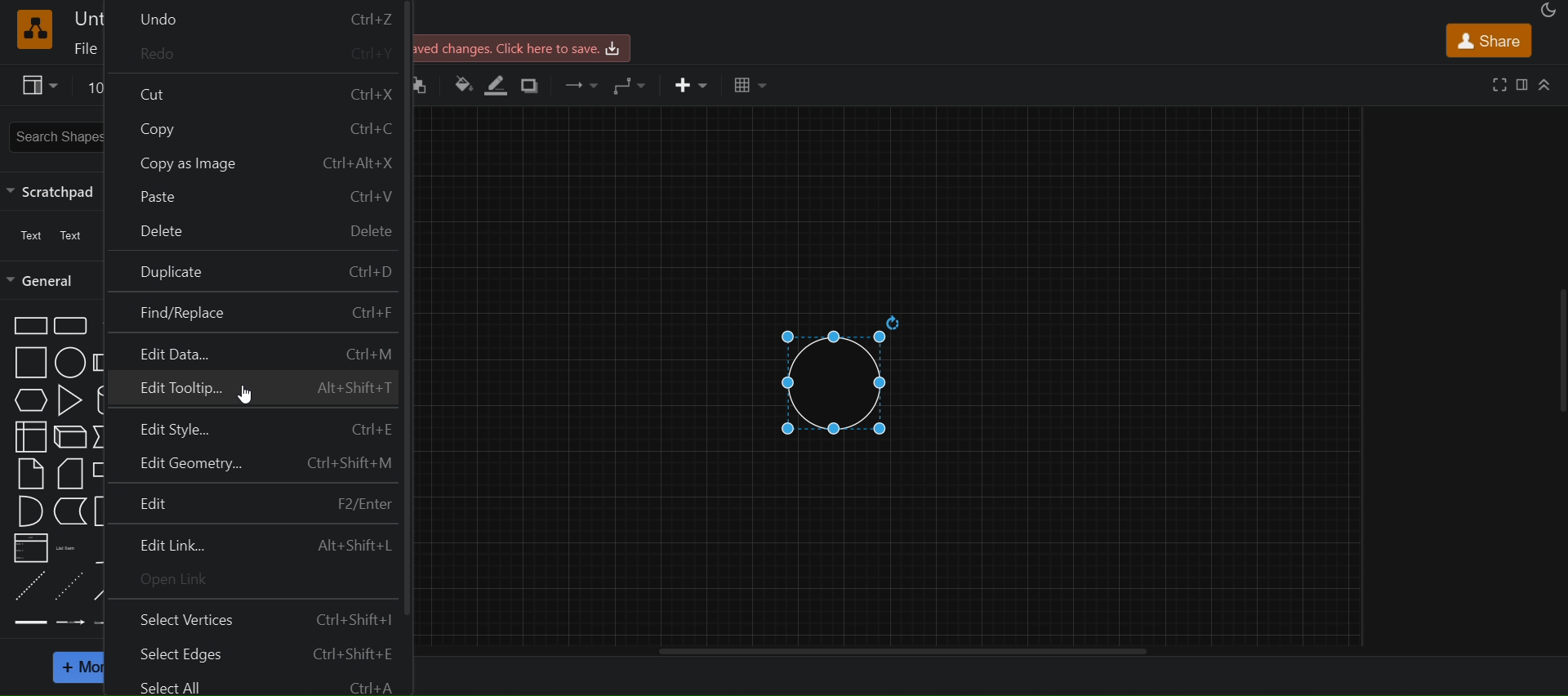  Describe the element at coordinates (498, 85) in the screenshot. I see `line color` at that location.